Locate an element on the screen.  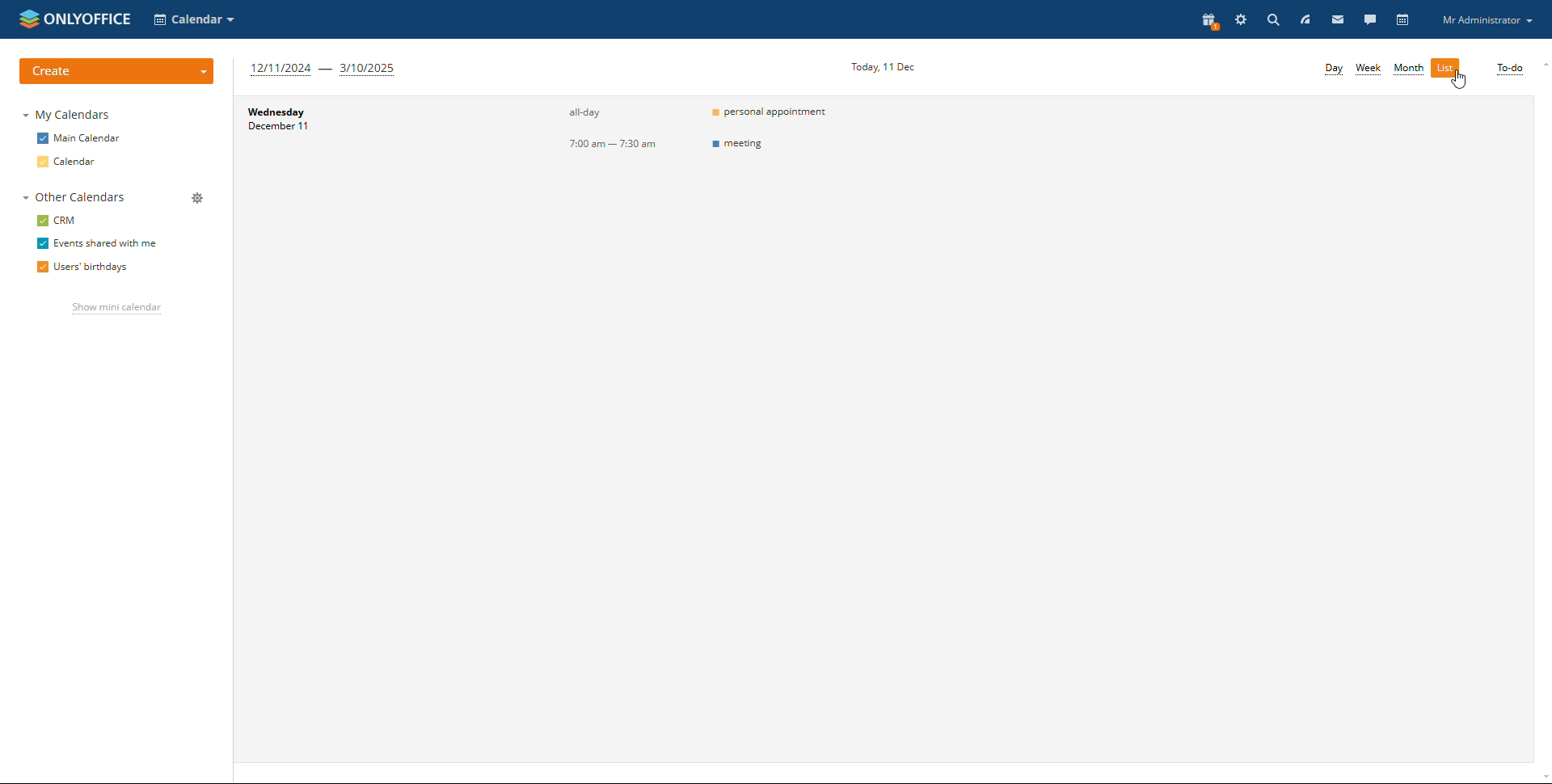
events shared with me is located at coordinates (96, 244).